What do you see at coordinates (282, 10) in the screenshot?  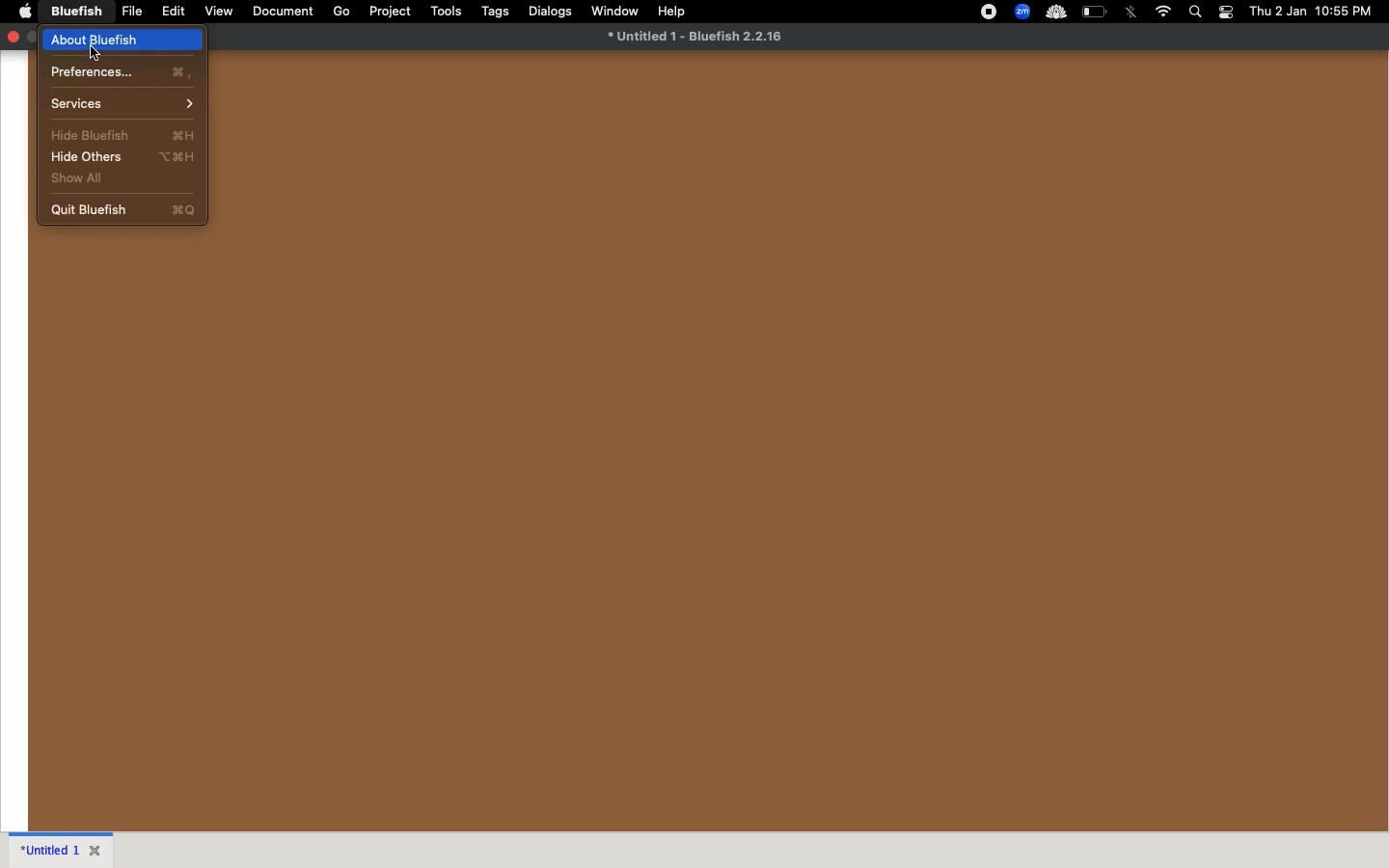 I see `document` at bounding box center [282, 10].